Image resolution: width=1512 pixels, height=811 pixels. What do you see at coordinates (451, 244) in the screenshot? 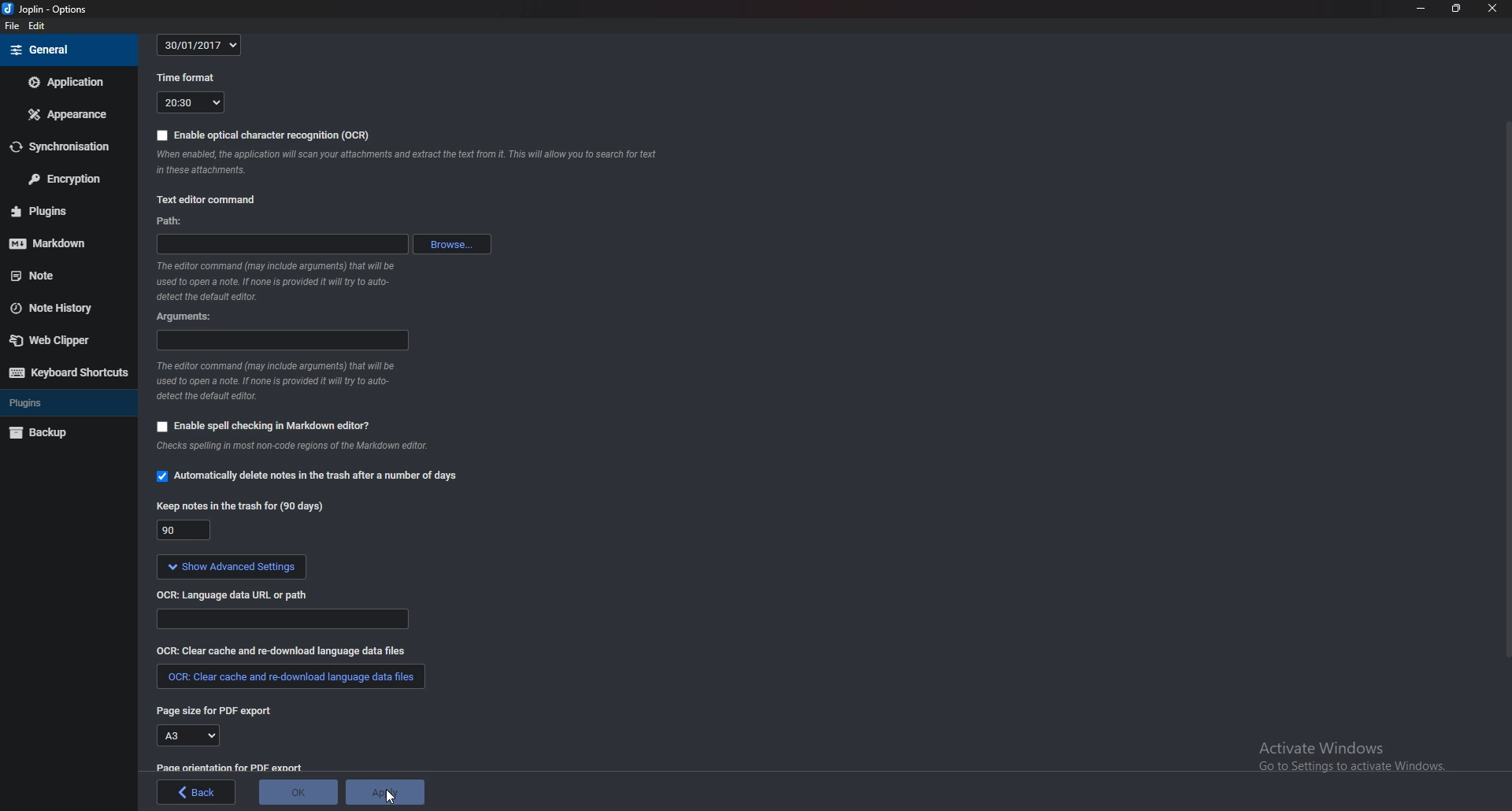
I see `browse` at bounding box center [451, 244].